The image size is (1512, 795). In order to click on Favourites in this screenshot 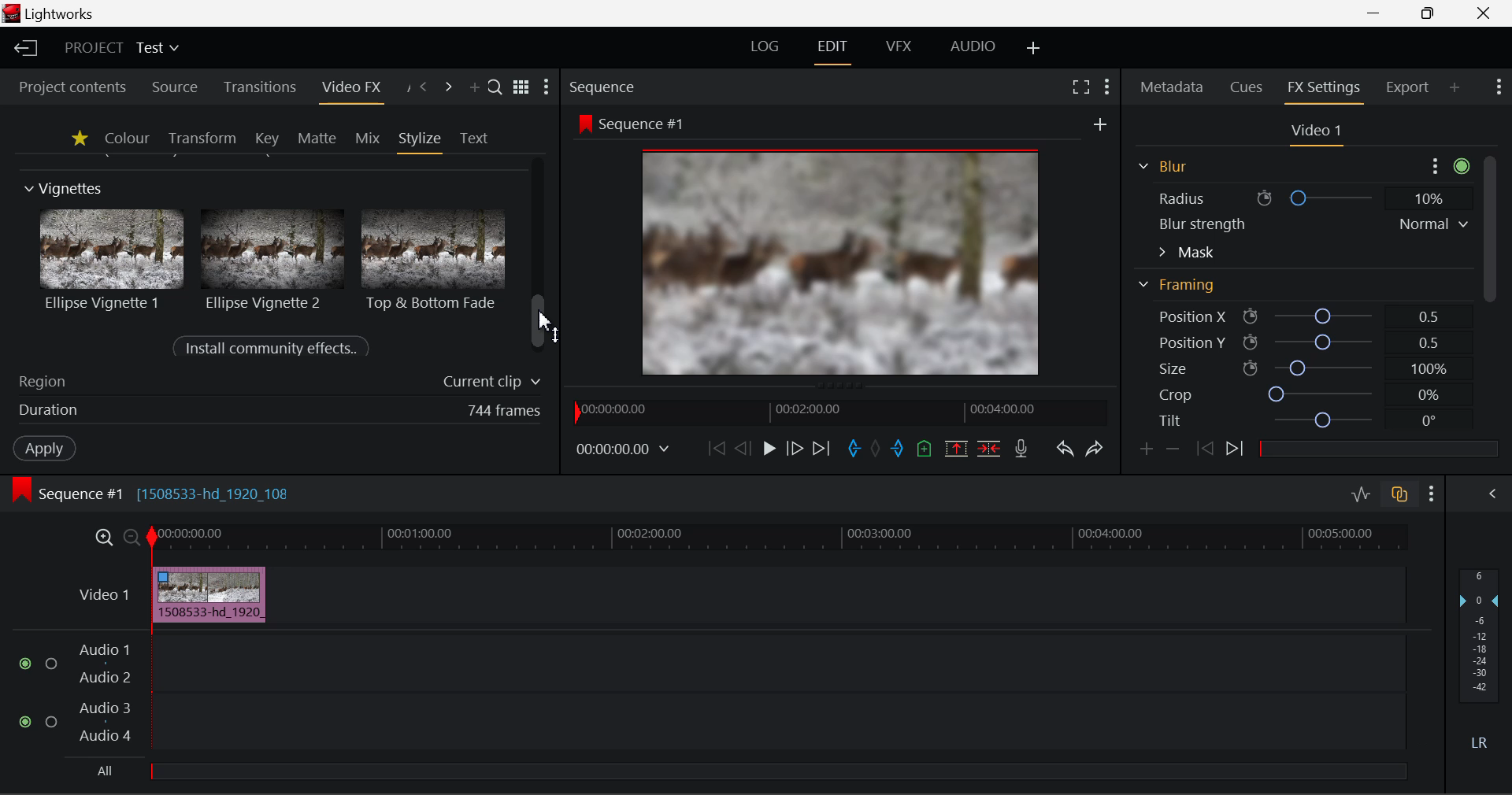, I will do `click(77, 138)`.